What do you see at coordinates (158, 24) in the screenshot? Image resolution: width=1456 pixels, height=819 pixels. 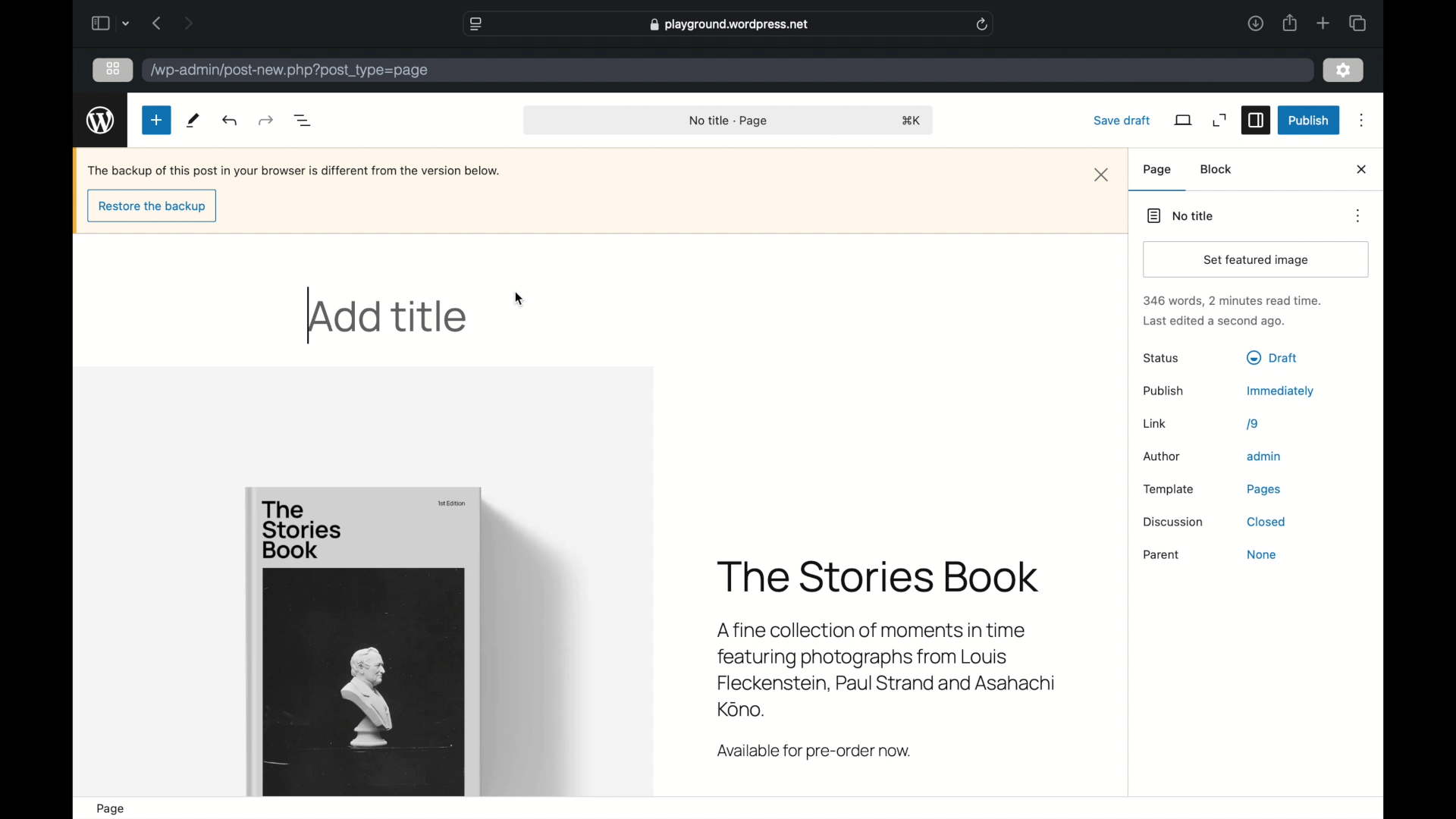 I see `previous page` at bounding box center [158, 24].